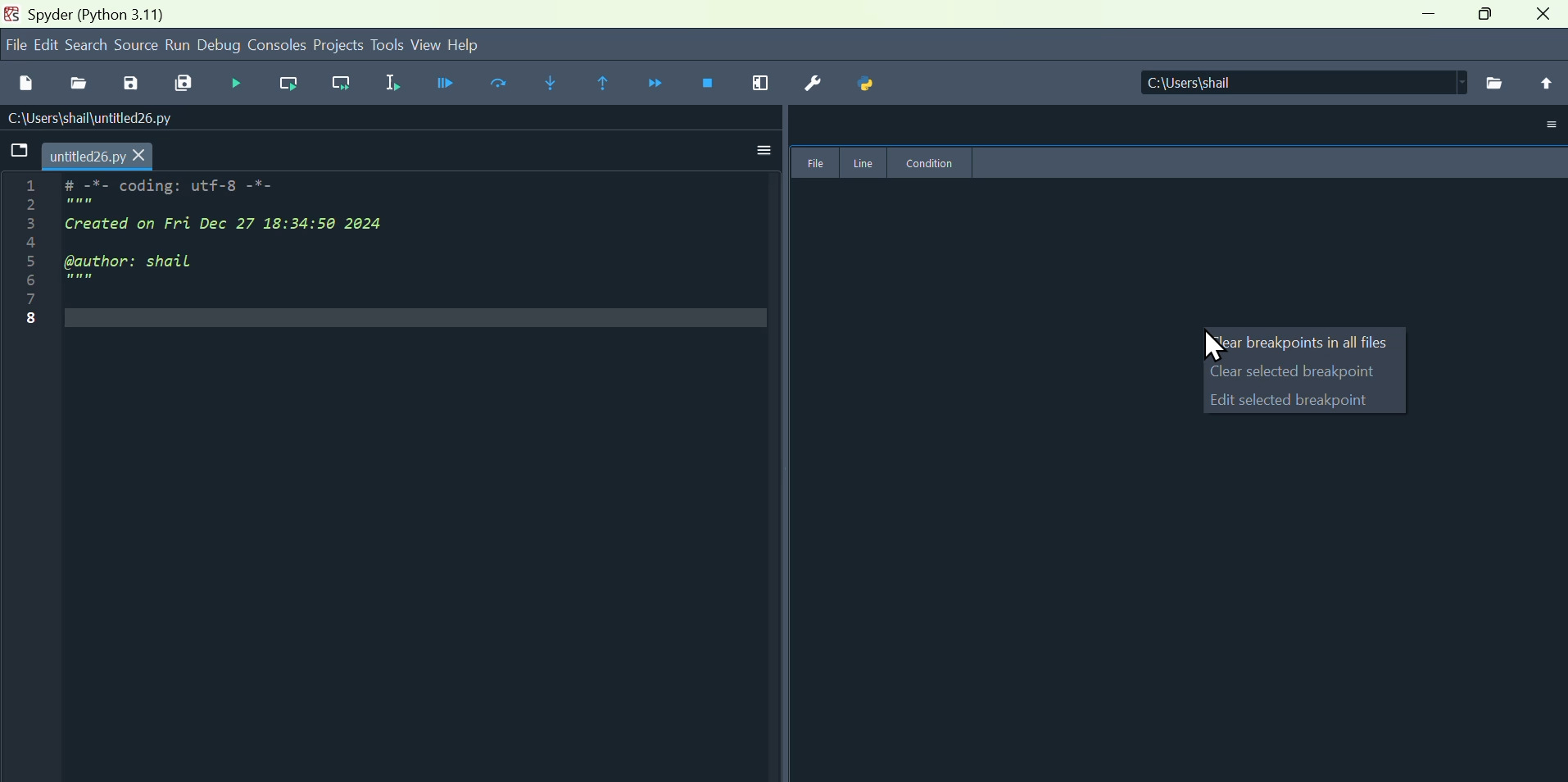  I want to click on | C:\Users\shail, so click(1300, 84).